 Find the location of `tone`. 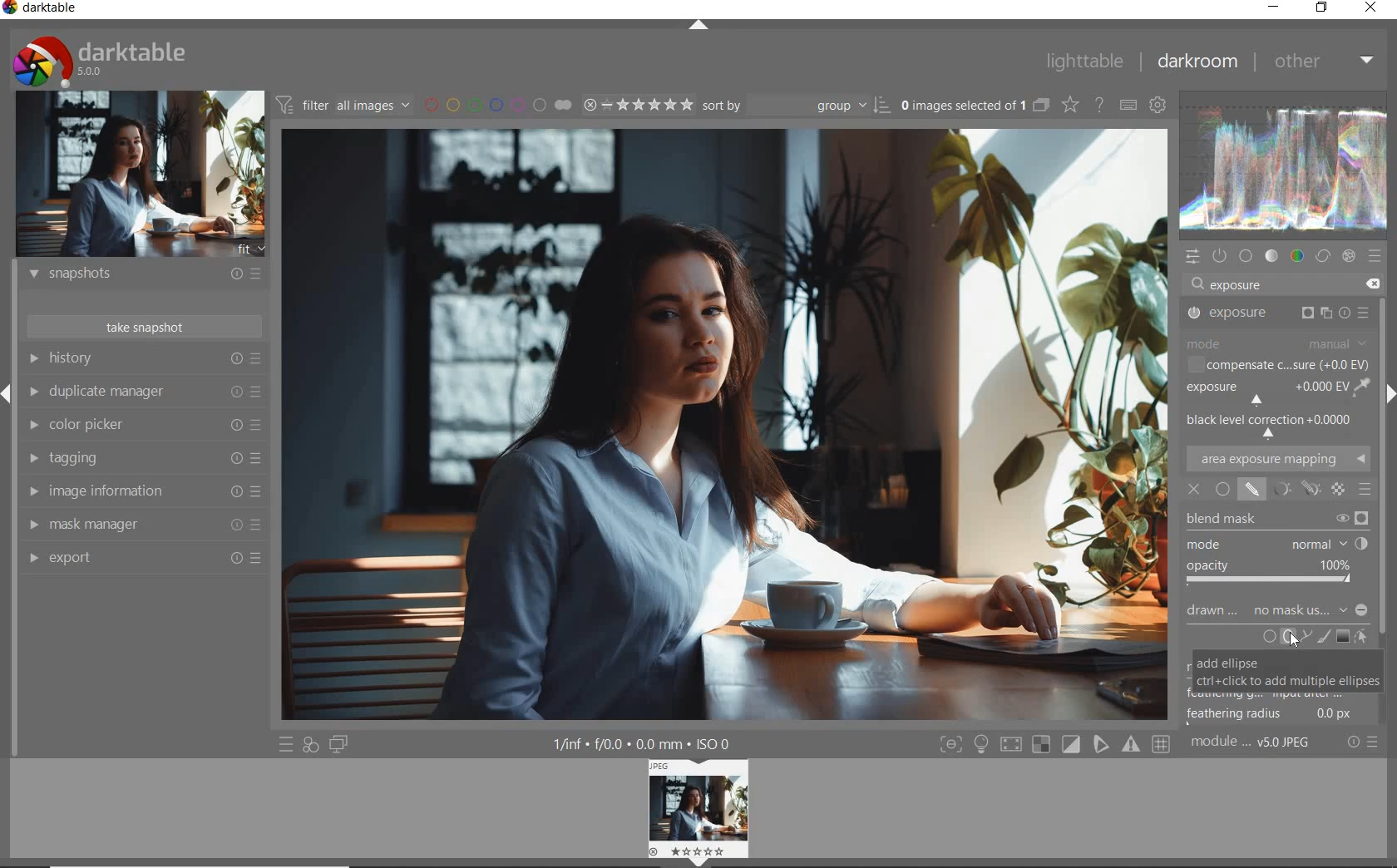

tone is located at coordinates (1271, 255).